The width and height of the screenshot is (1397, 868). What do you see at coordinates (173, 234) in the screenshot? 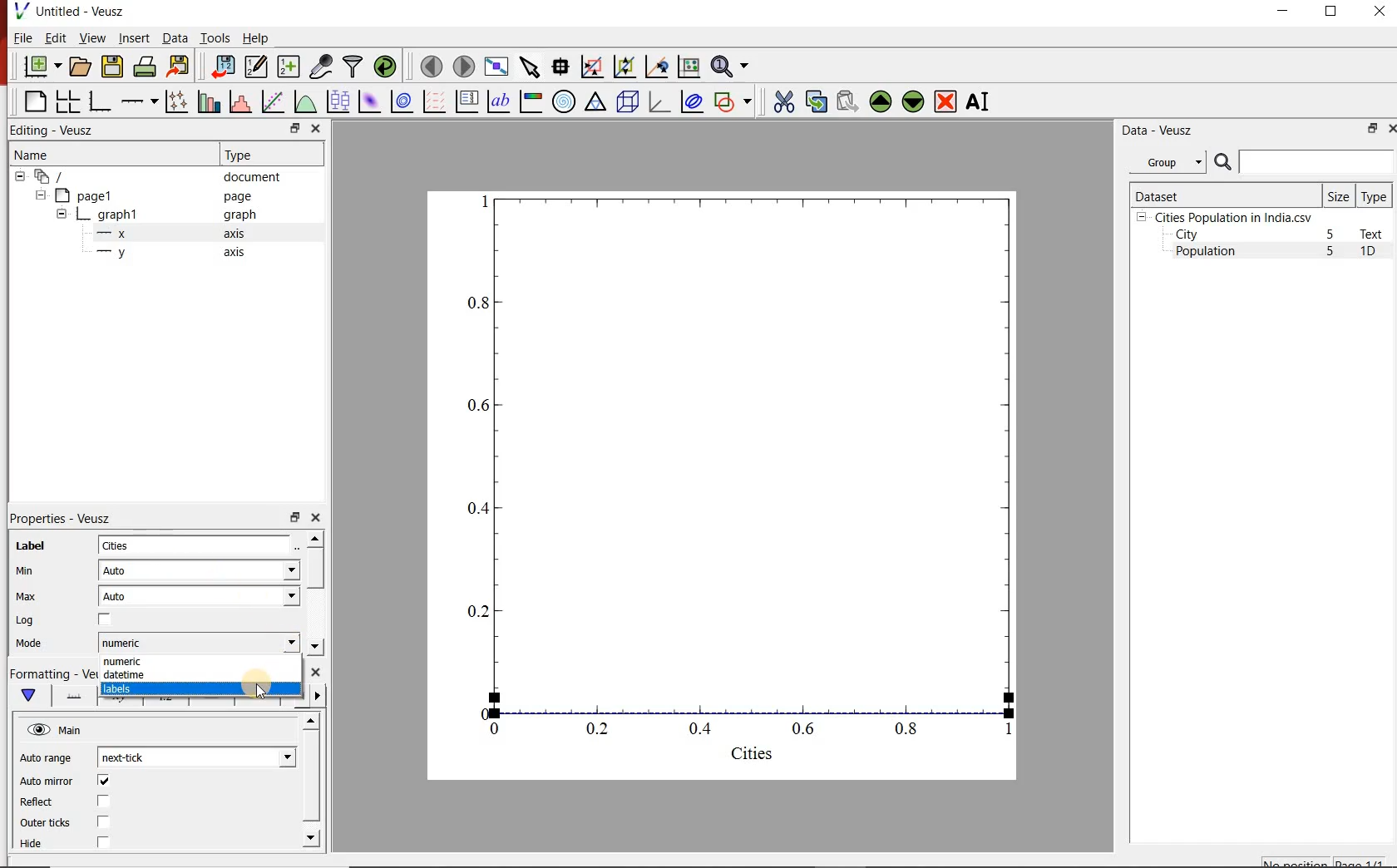
I see `x axis` at bounding box center [173, 234].